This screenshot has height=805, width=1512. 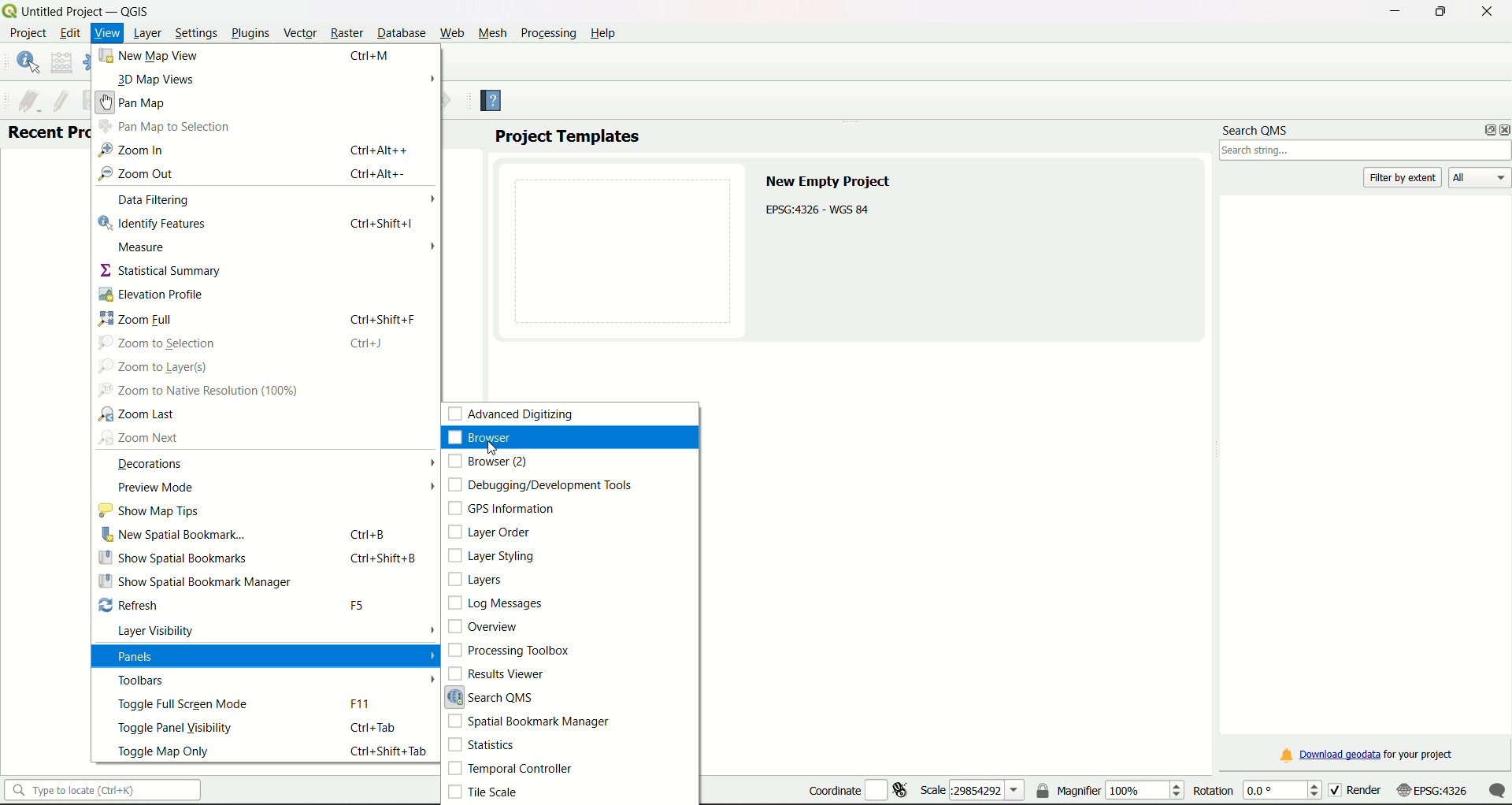 I want to click on Vector, so click(x=301, y=31).